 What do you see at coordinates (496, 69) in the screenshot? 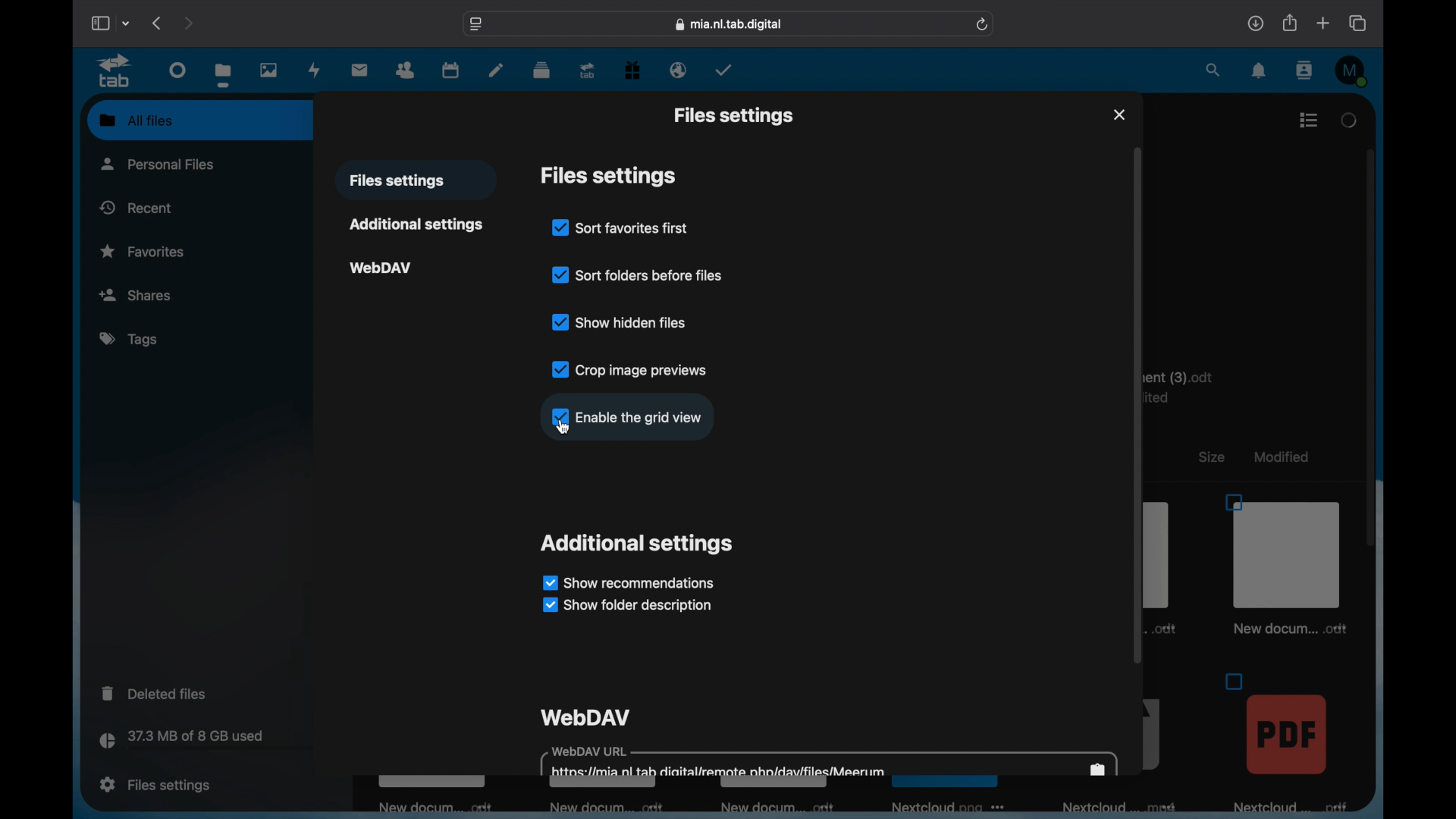
I see `notes` at bounding box center [496, 69].